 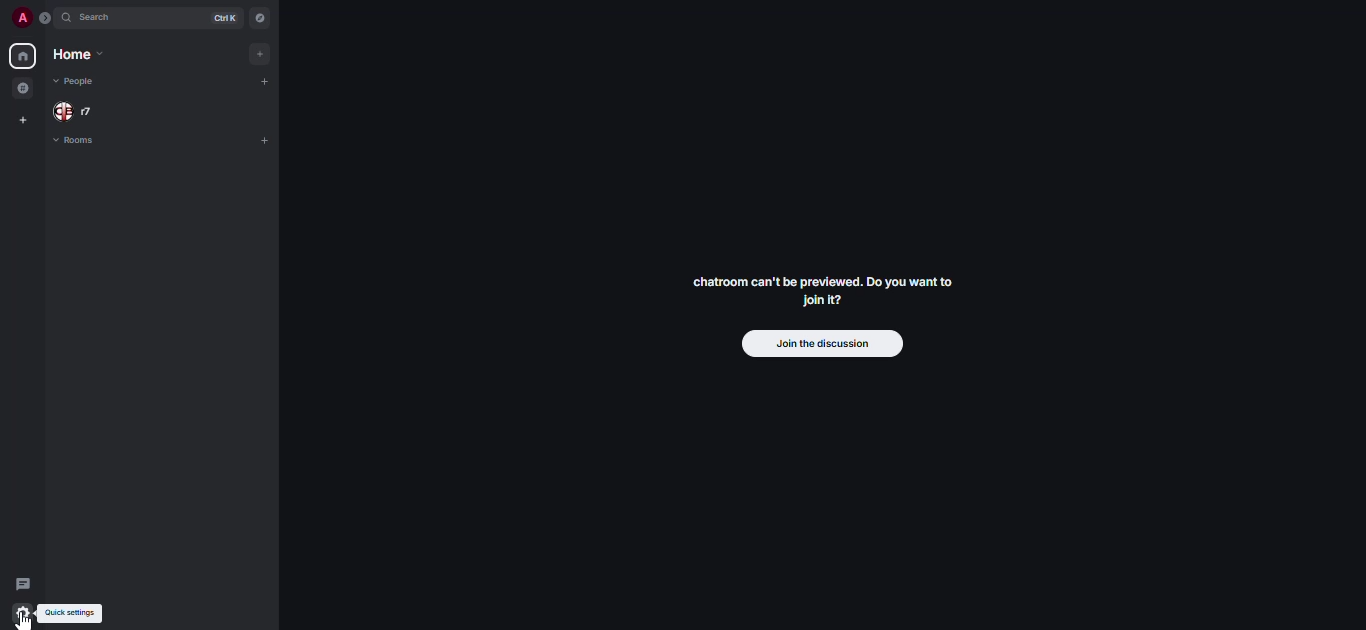 I want to click on chatroom can't be previewed. Join it?, so click(x=826, y=289).